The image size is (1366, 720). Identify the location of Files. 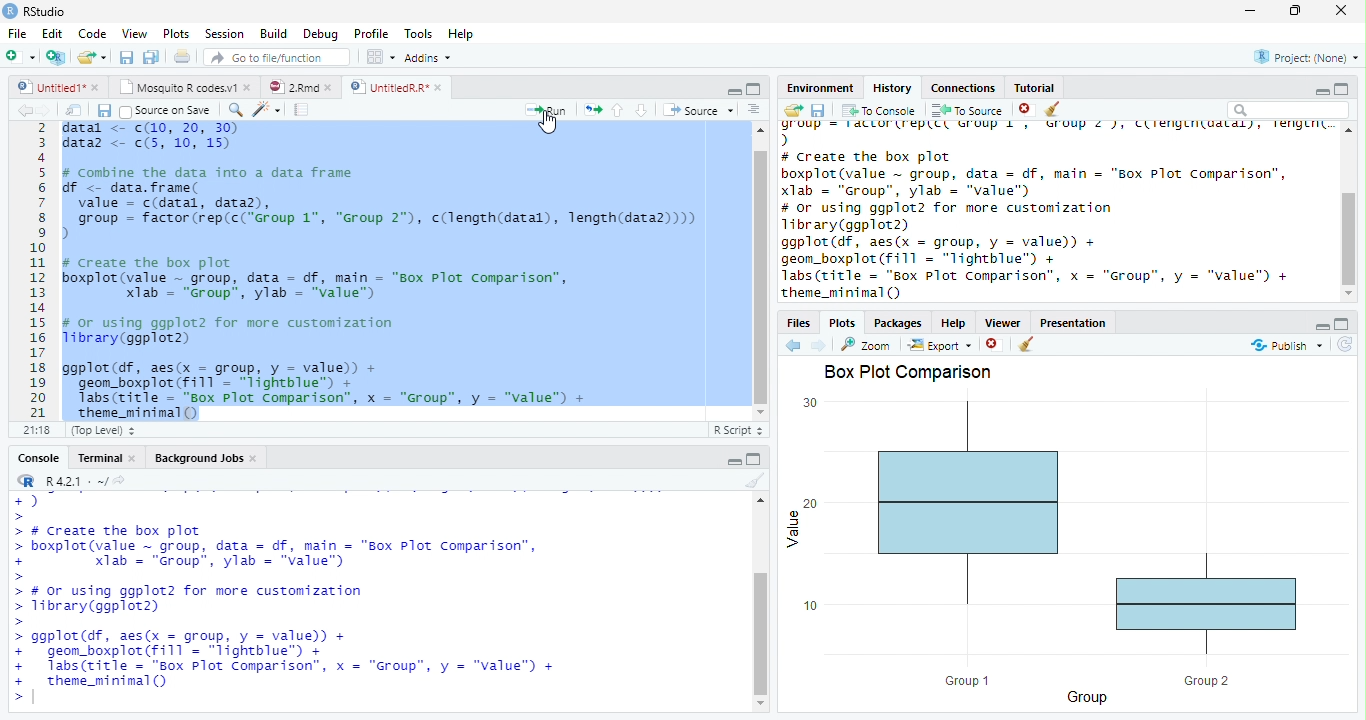
(800, 322).